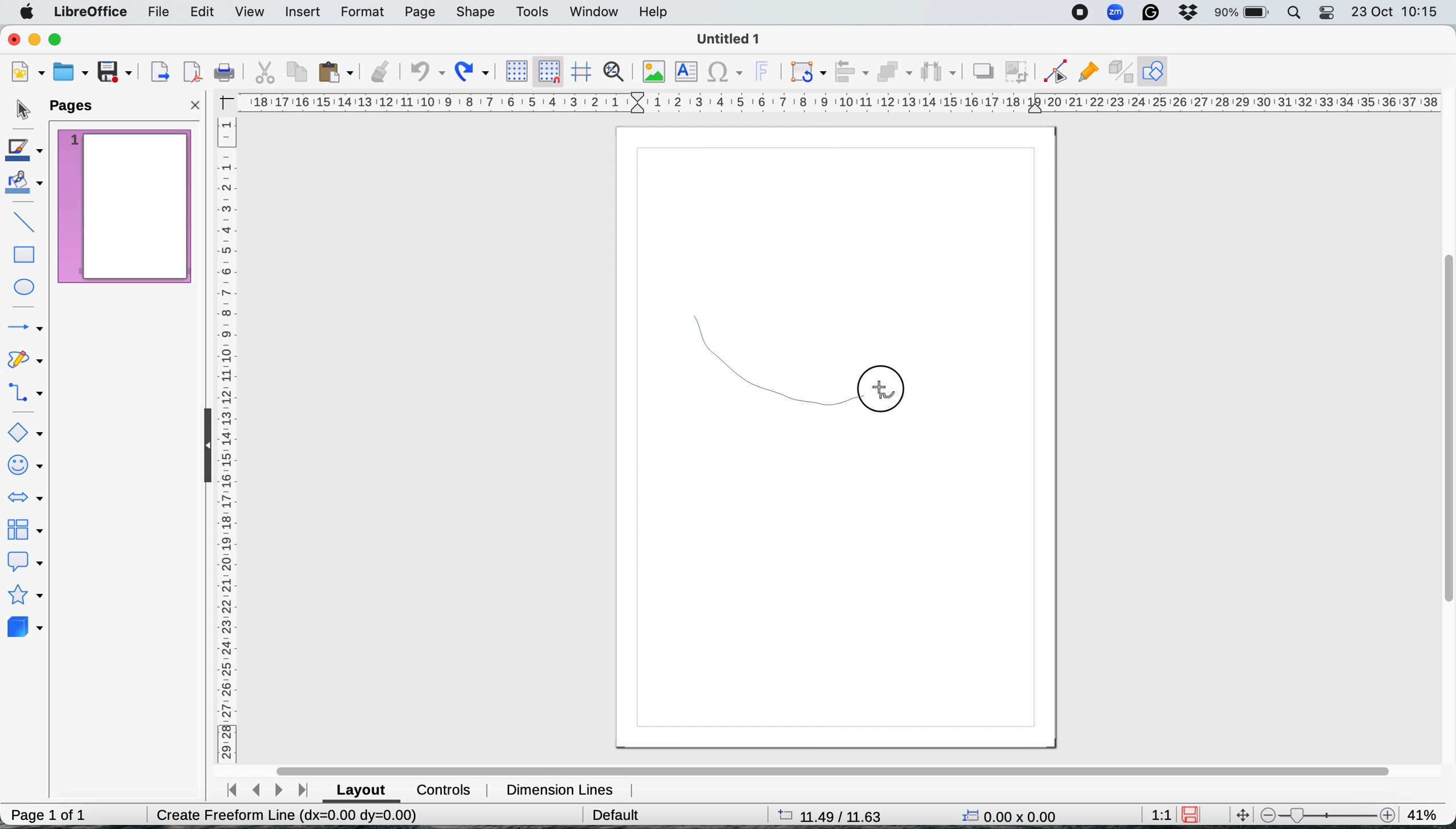 The image size is (1456, 829). What do you see at coordinates (228, 441) in the screenshot?
I see `vertical scale` at bounding box center [228, 441].